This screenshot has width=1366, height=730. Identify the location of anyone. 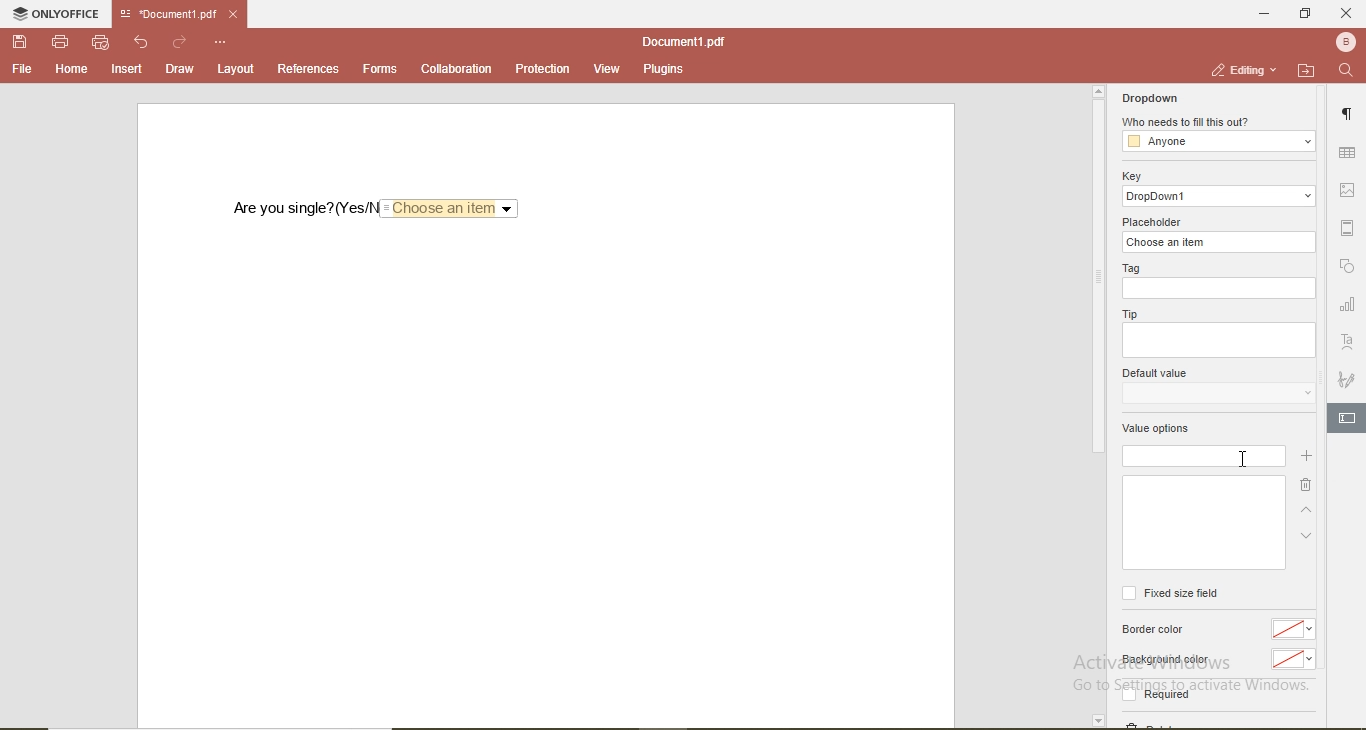
(1217, 141).